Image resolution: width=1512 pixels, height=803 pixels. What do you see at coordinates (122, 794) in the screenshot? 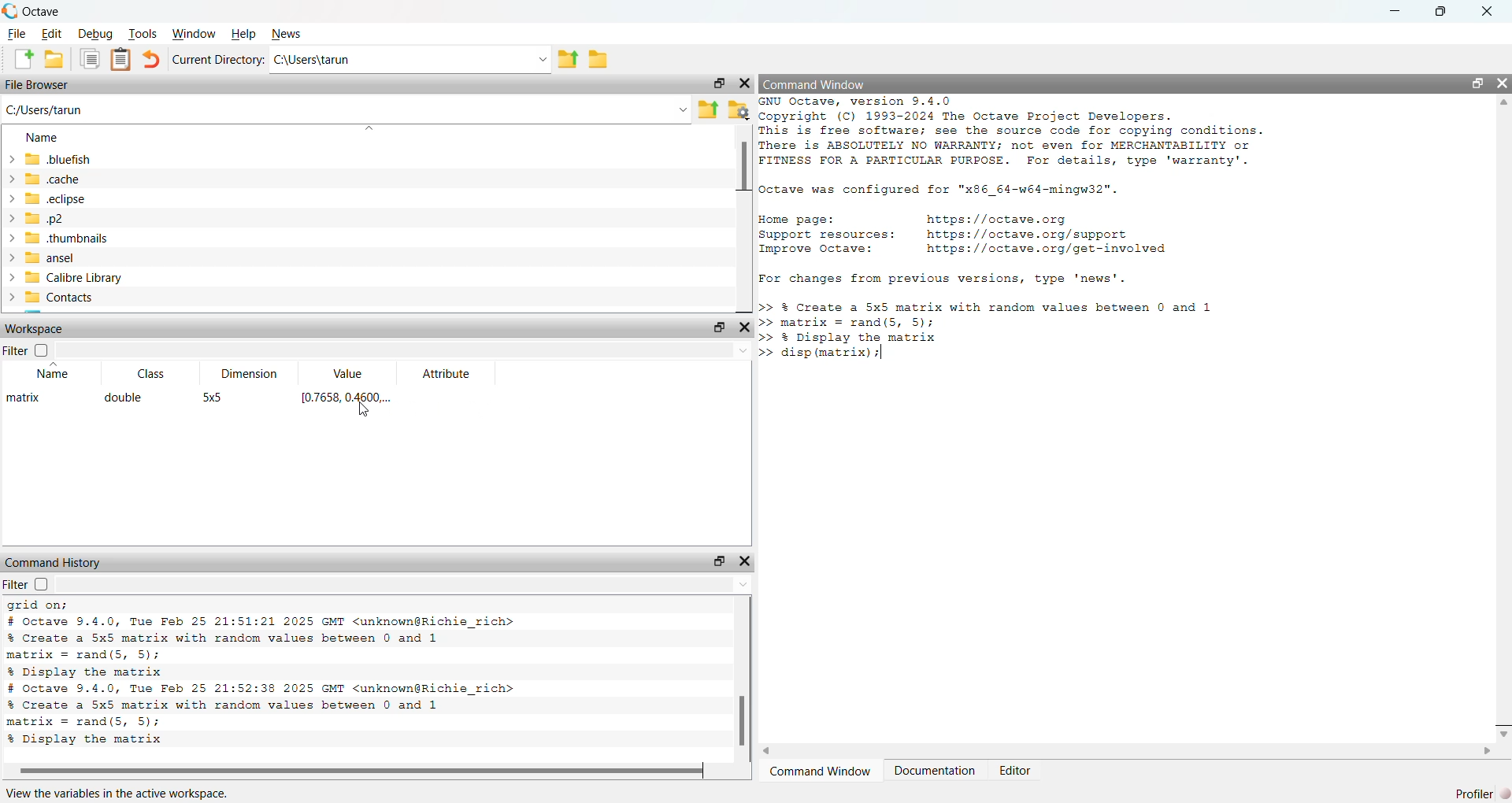
I see `View the variables in the active workspace.` at bounding box center [122, 794].